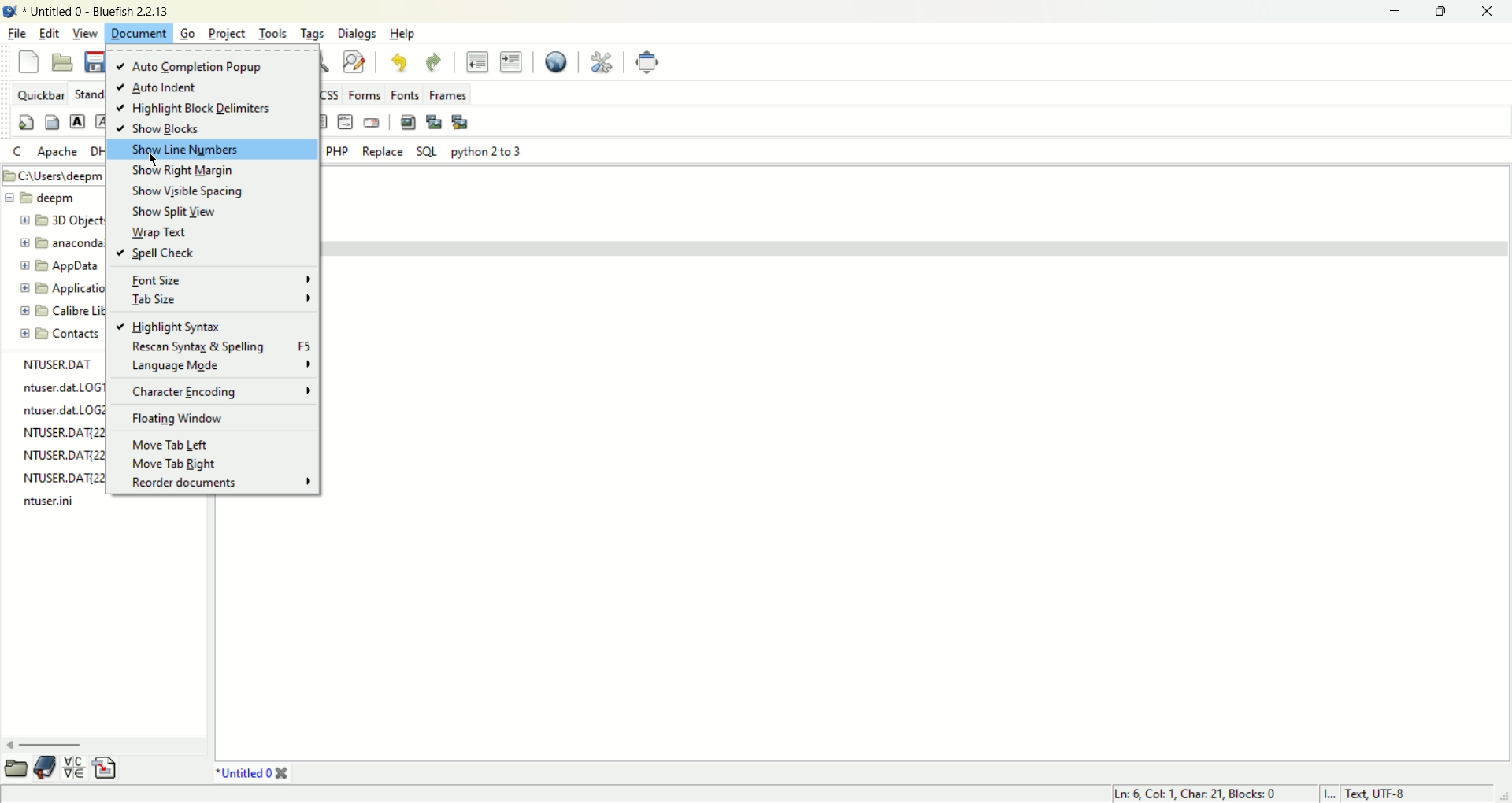 This screenshot has height=803, width=1512. What do you see at coordinates (86, 32) in the screenshot?
I see `view` at bounding box center [86, 32].